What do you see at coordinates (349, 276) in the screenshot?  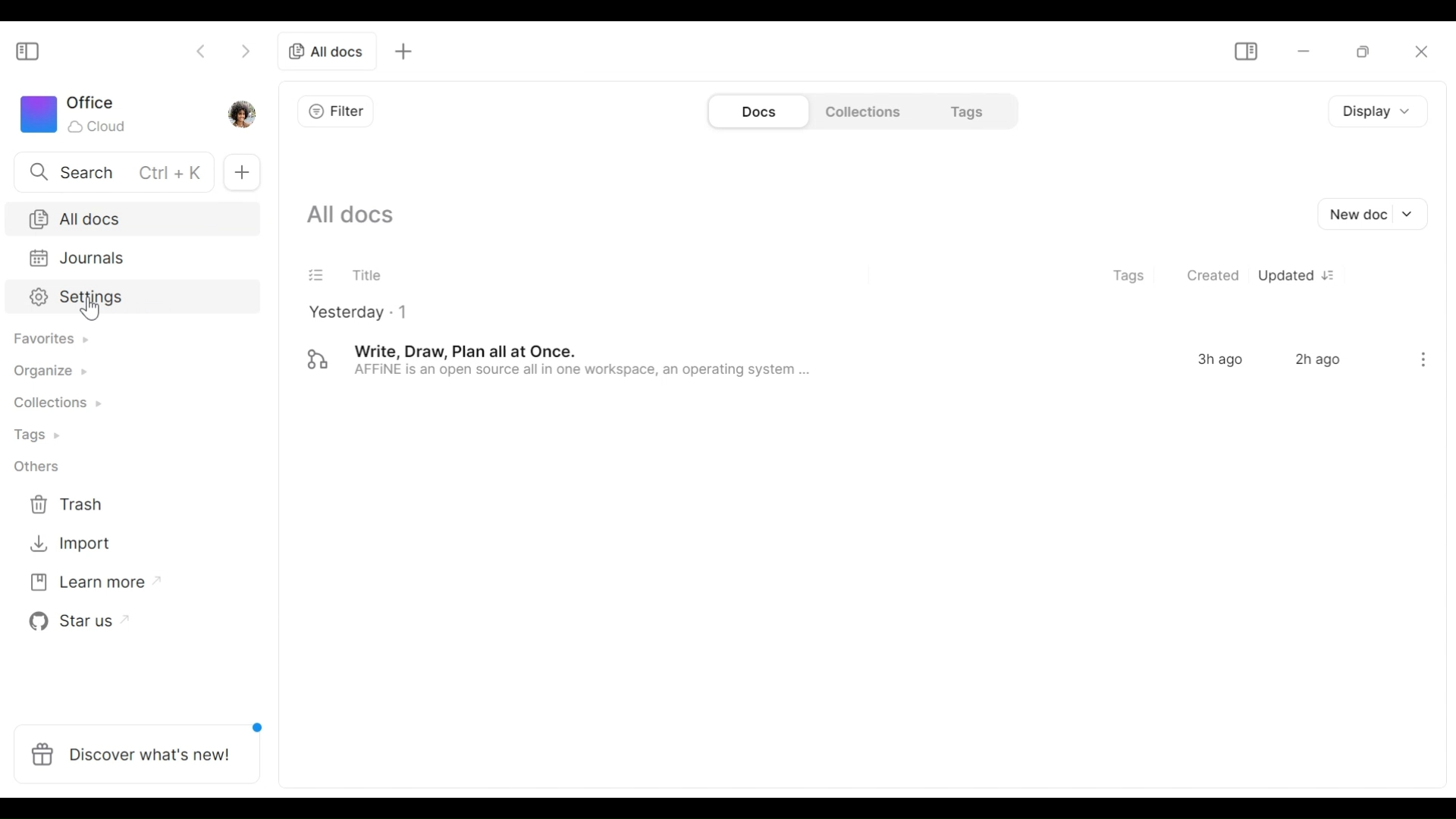 I see `Title` at bounding box center [349, 276].